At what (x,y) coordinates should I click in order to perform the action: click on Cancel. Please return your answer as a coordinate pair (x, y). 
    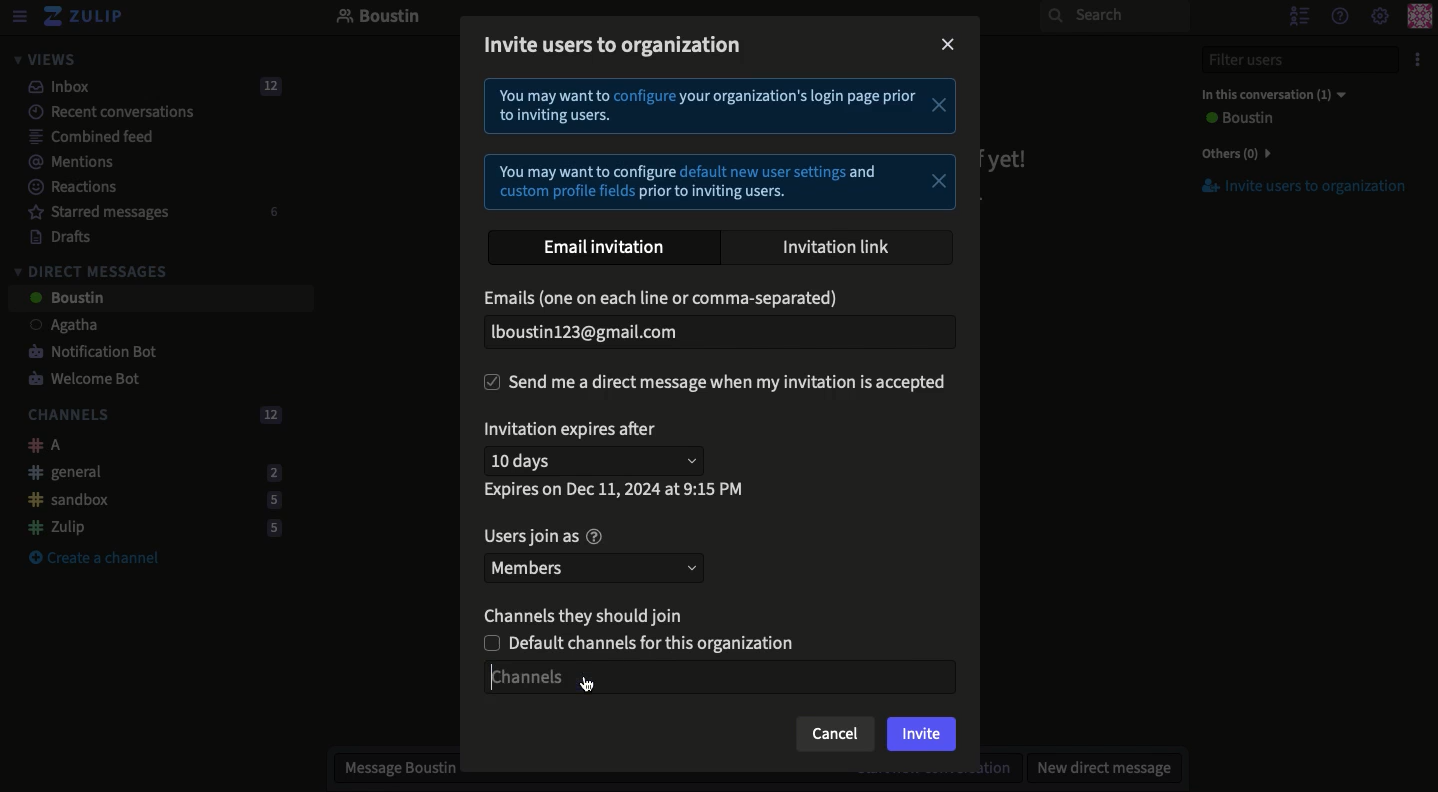
    Looking at the image, I should click on (835, 734).